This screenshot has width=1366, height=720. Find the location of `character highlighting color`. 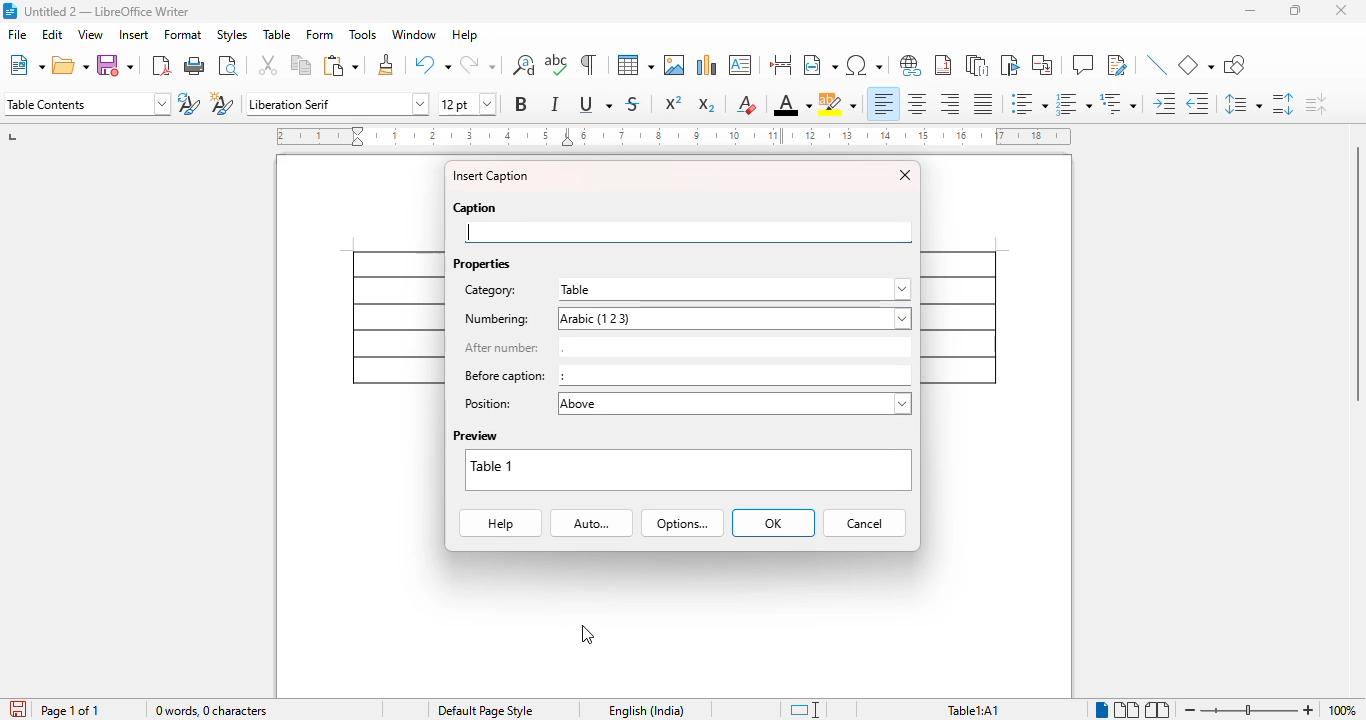

character highlighting color is located at coordinates (837, 104).